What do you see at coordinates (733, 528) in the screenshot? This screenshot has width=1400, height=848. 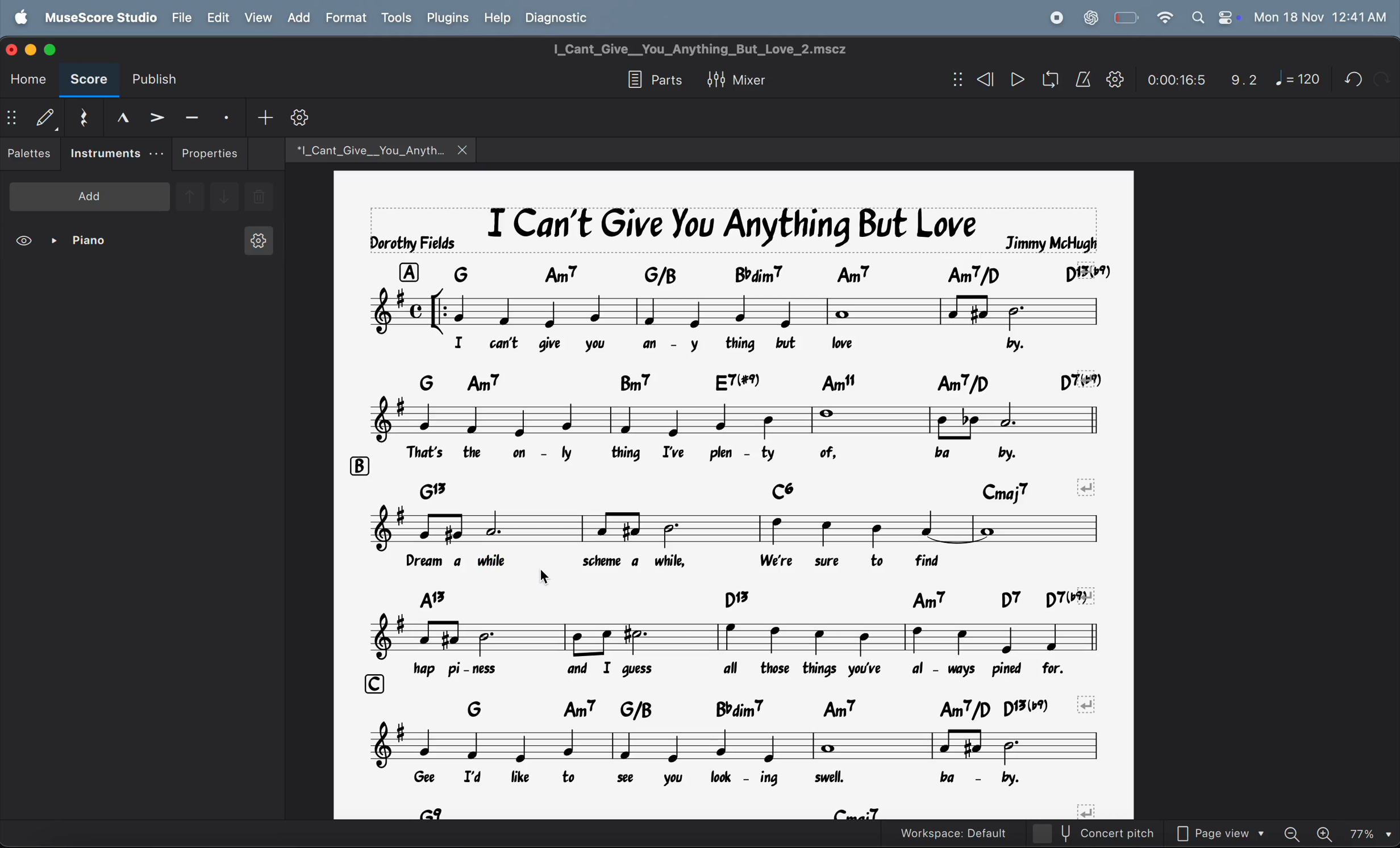 I see `notes` at bounding box center [733, 528].